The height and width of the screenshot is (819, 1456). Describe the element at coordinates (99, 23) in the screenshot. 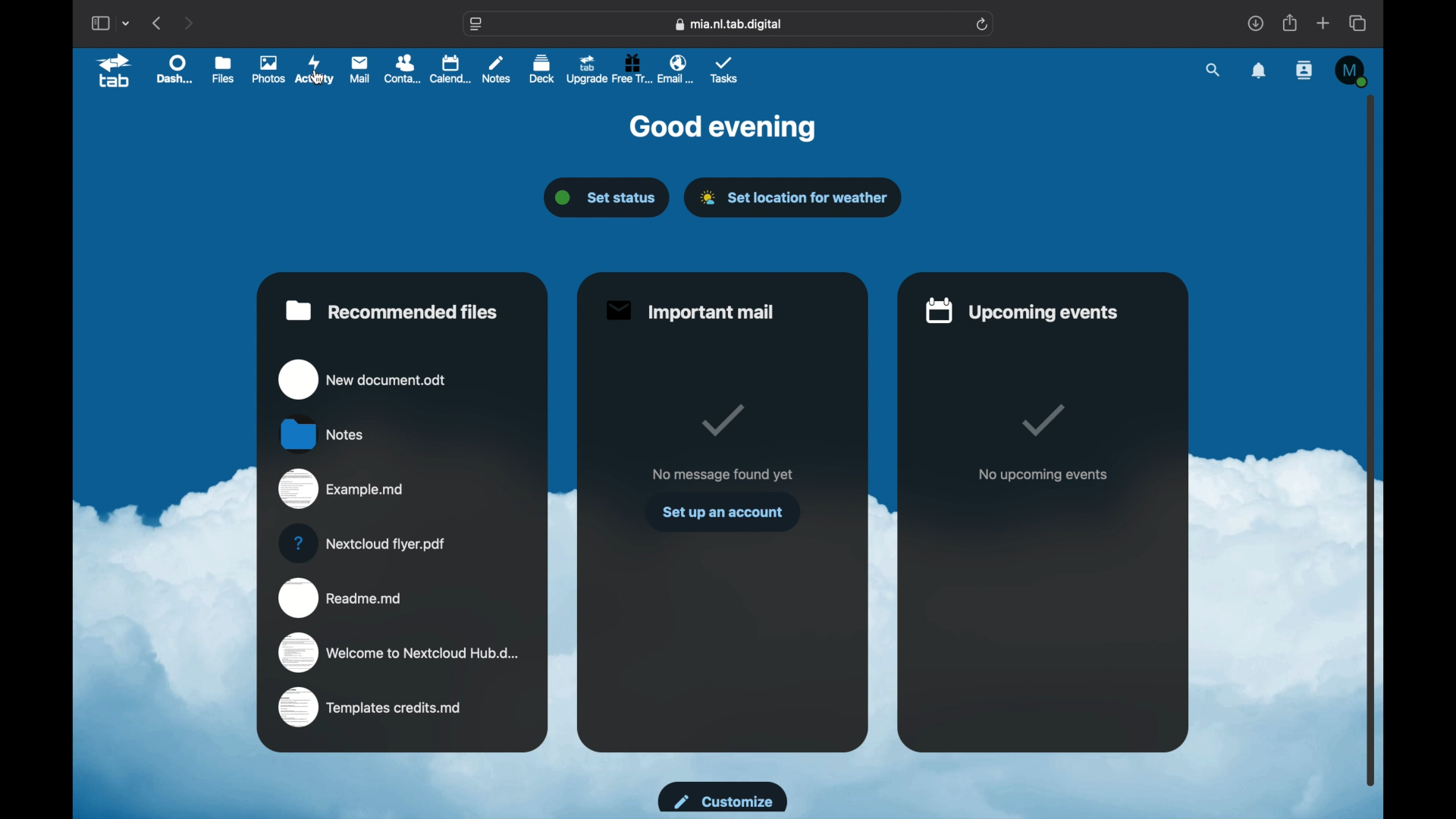

I see `show sidebar` at that location.